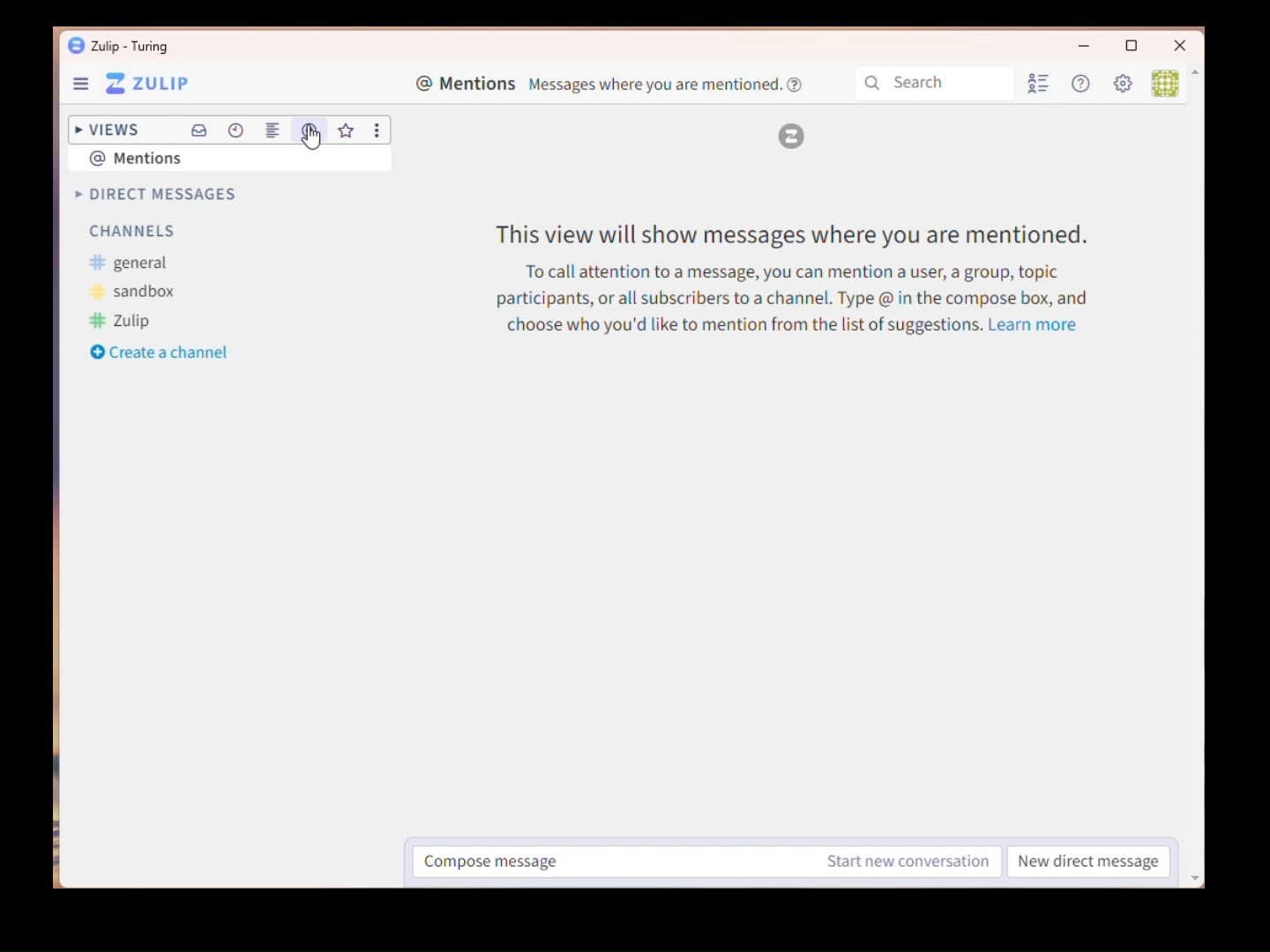 The height and width of the screenshot is (952, 1270). I want to click on Direct Messages, so click(153, 195).